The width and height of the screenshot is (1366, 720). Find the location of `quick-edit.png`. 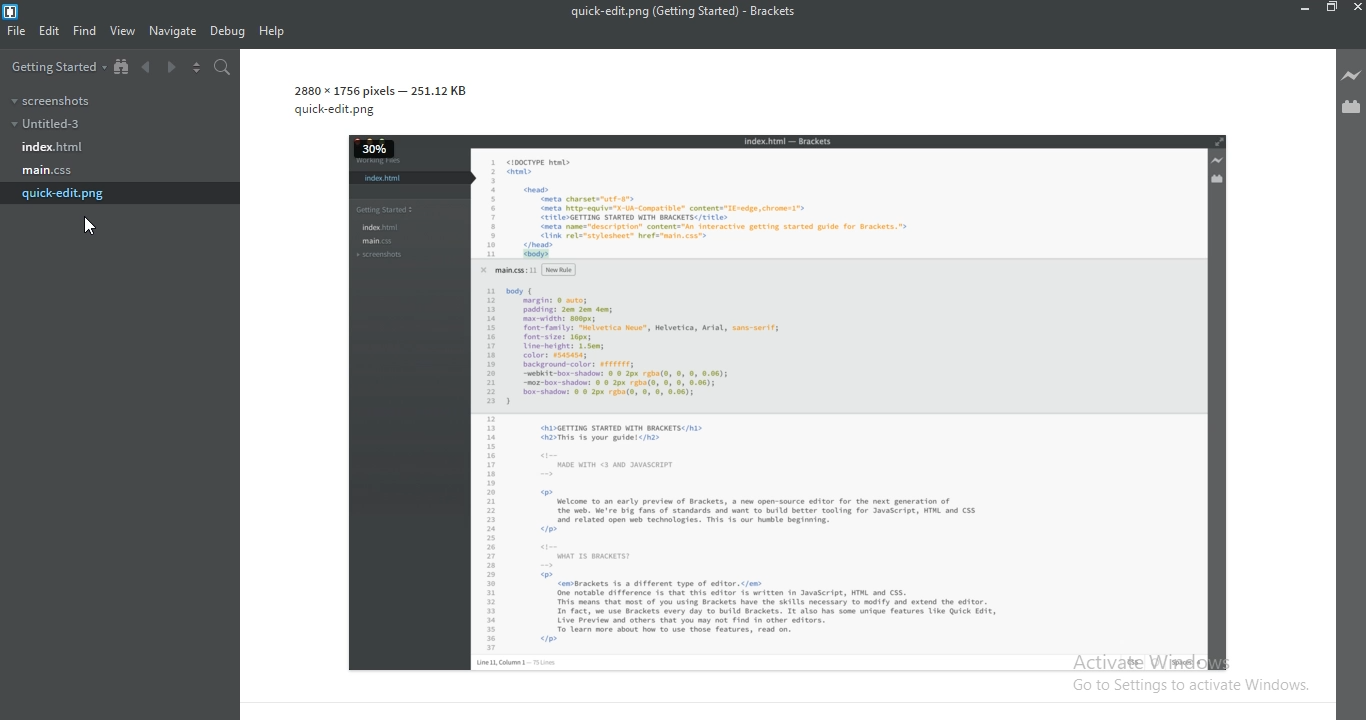

quick-edit.png is located at coordinates (65, 193).